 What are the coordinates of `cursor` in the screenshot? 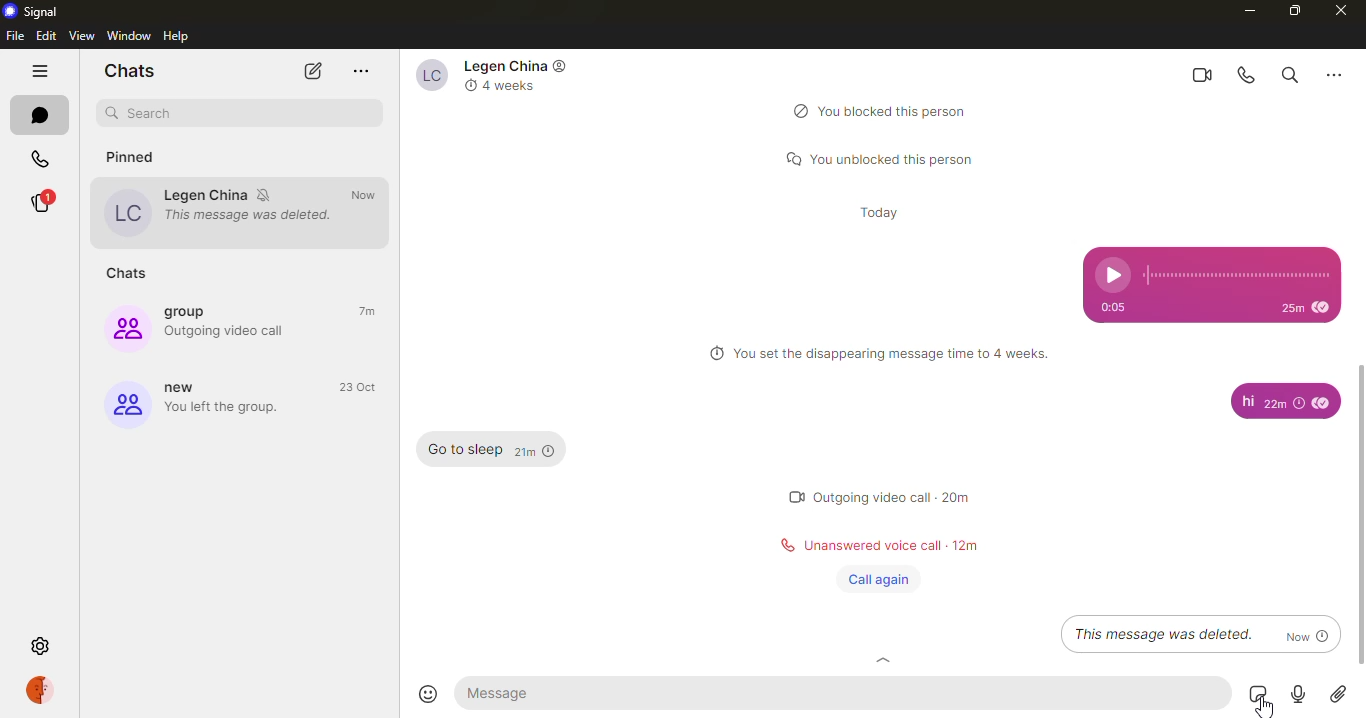 It's located at (1258, 705).